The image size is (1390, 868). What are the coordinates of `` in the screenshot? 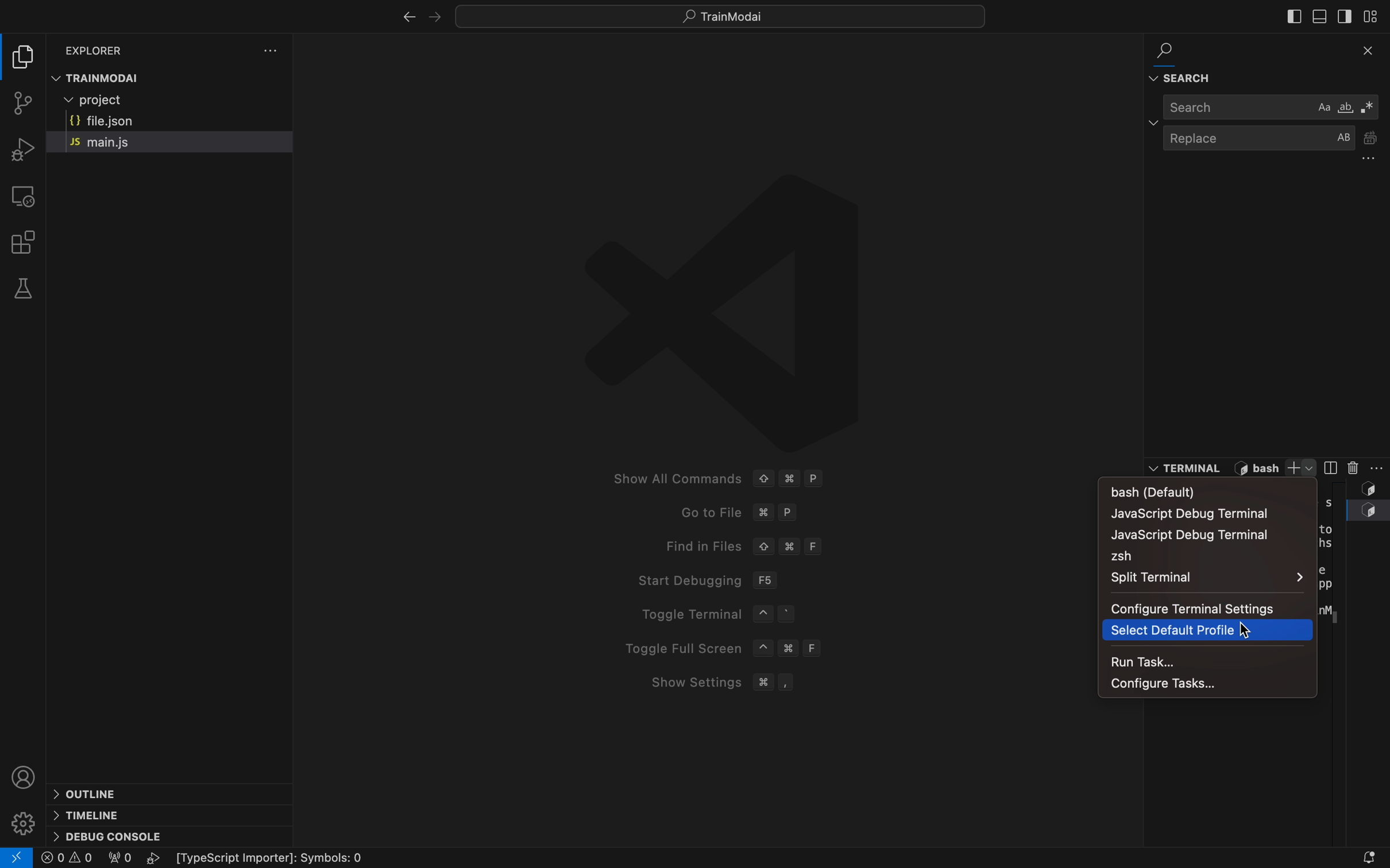 It's located at (1368, 511).